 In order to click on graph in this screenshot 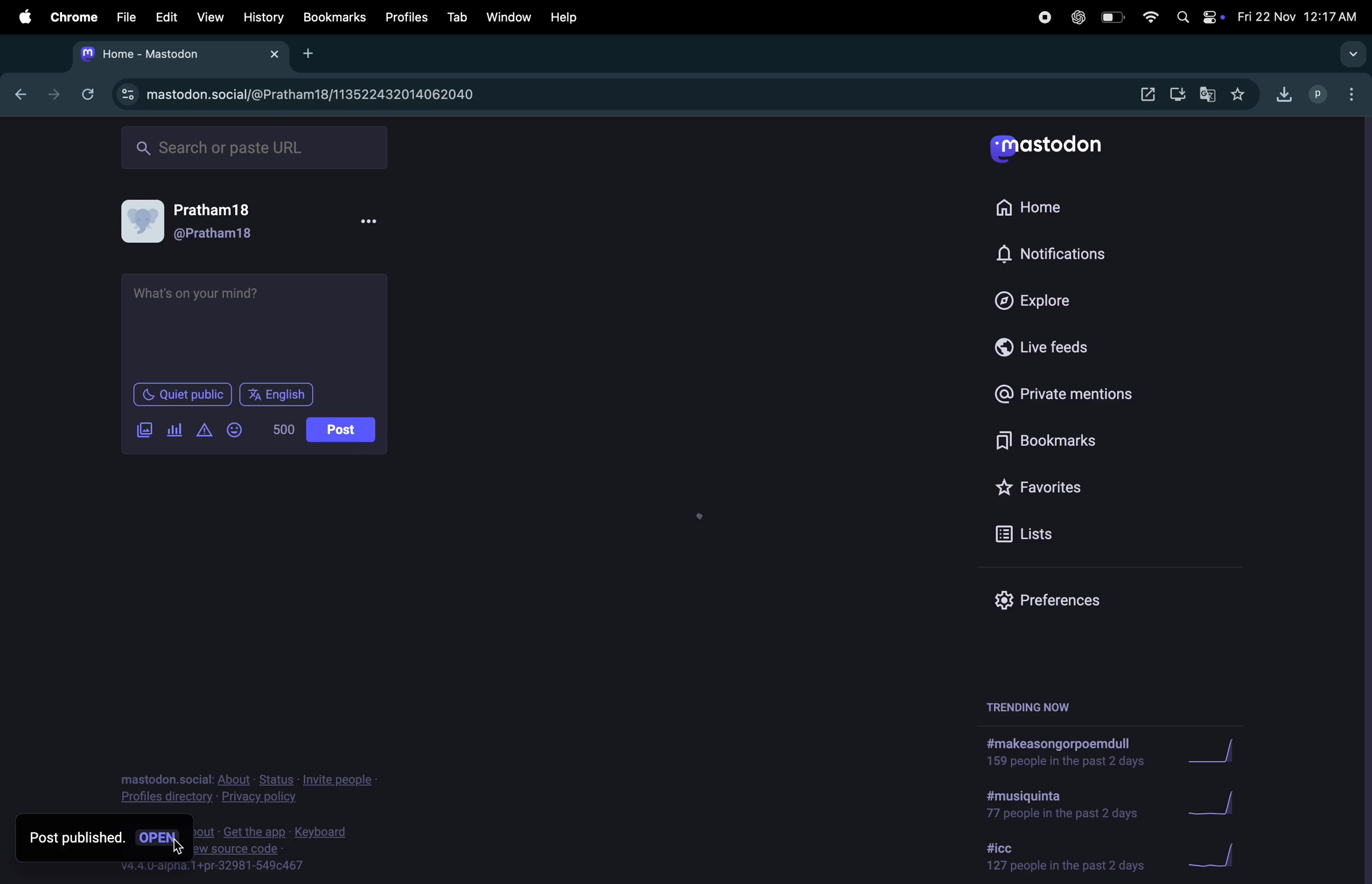, I will do `click(1205, 751)`.